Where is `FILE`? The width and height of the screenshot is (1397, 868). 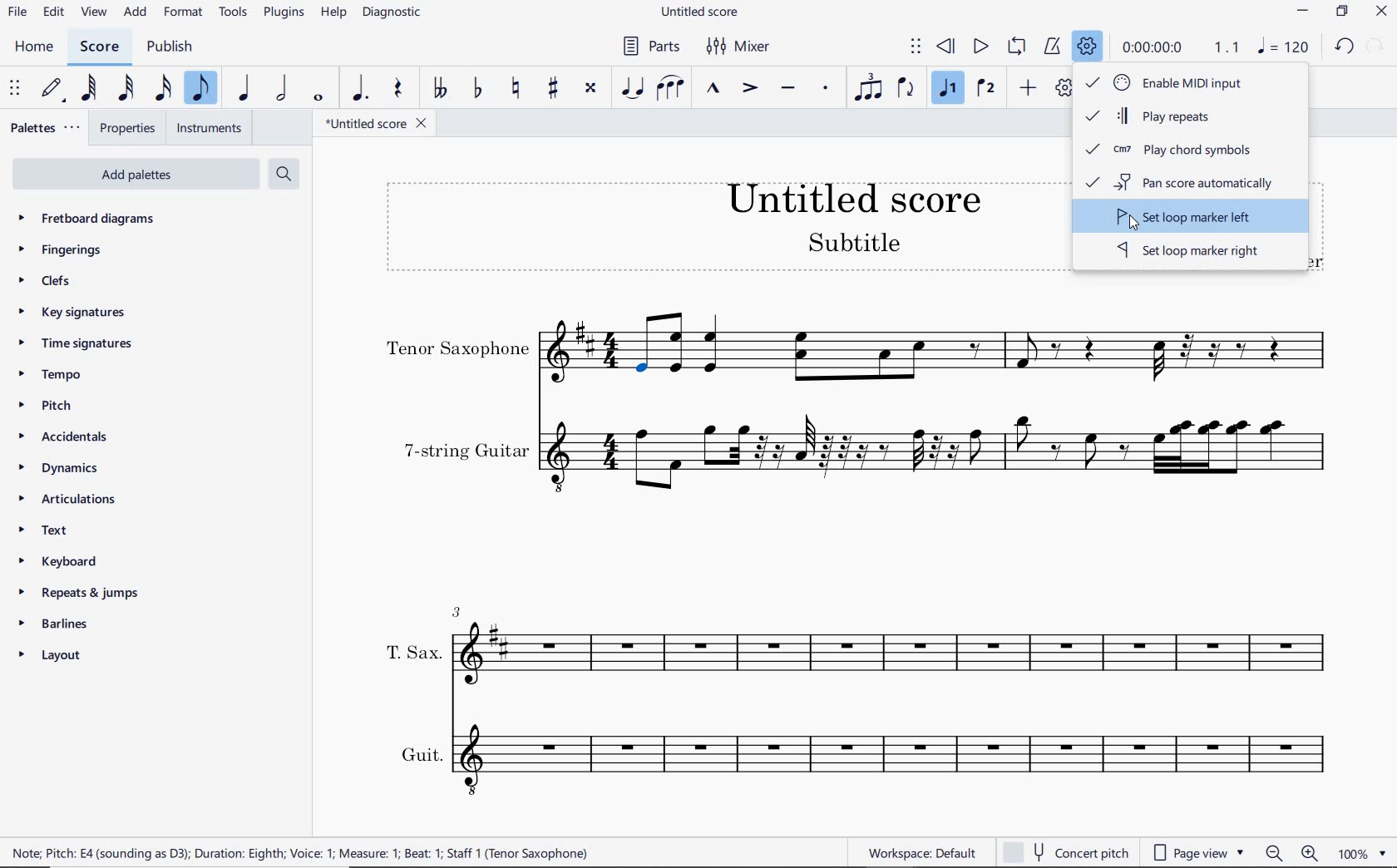
FILE is located at coordinates (18, 14).